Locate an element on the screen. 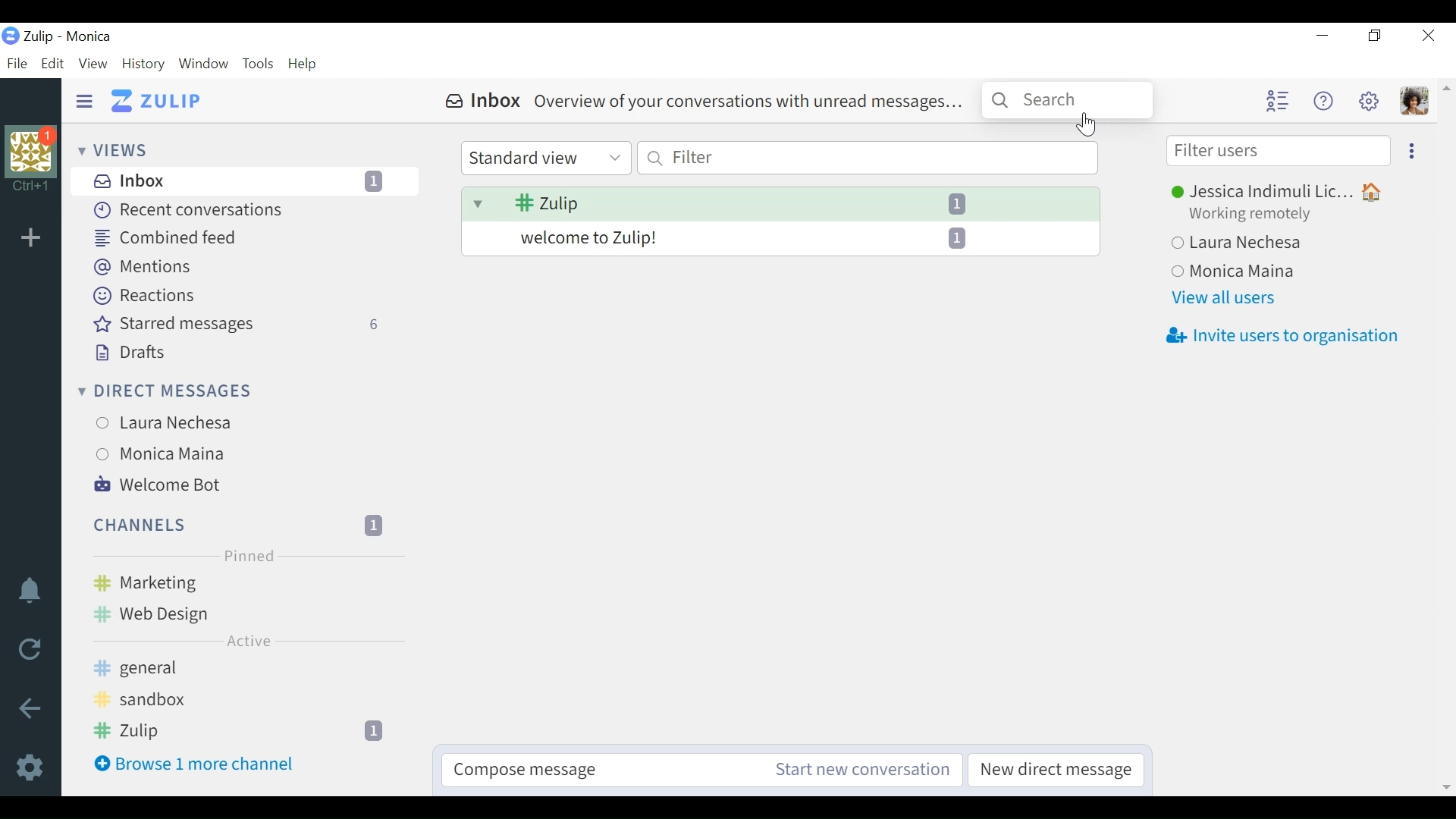 The width and height of the screenshot is (1456, 819). Help menu is located at coordinates (1322, 101).